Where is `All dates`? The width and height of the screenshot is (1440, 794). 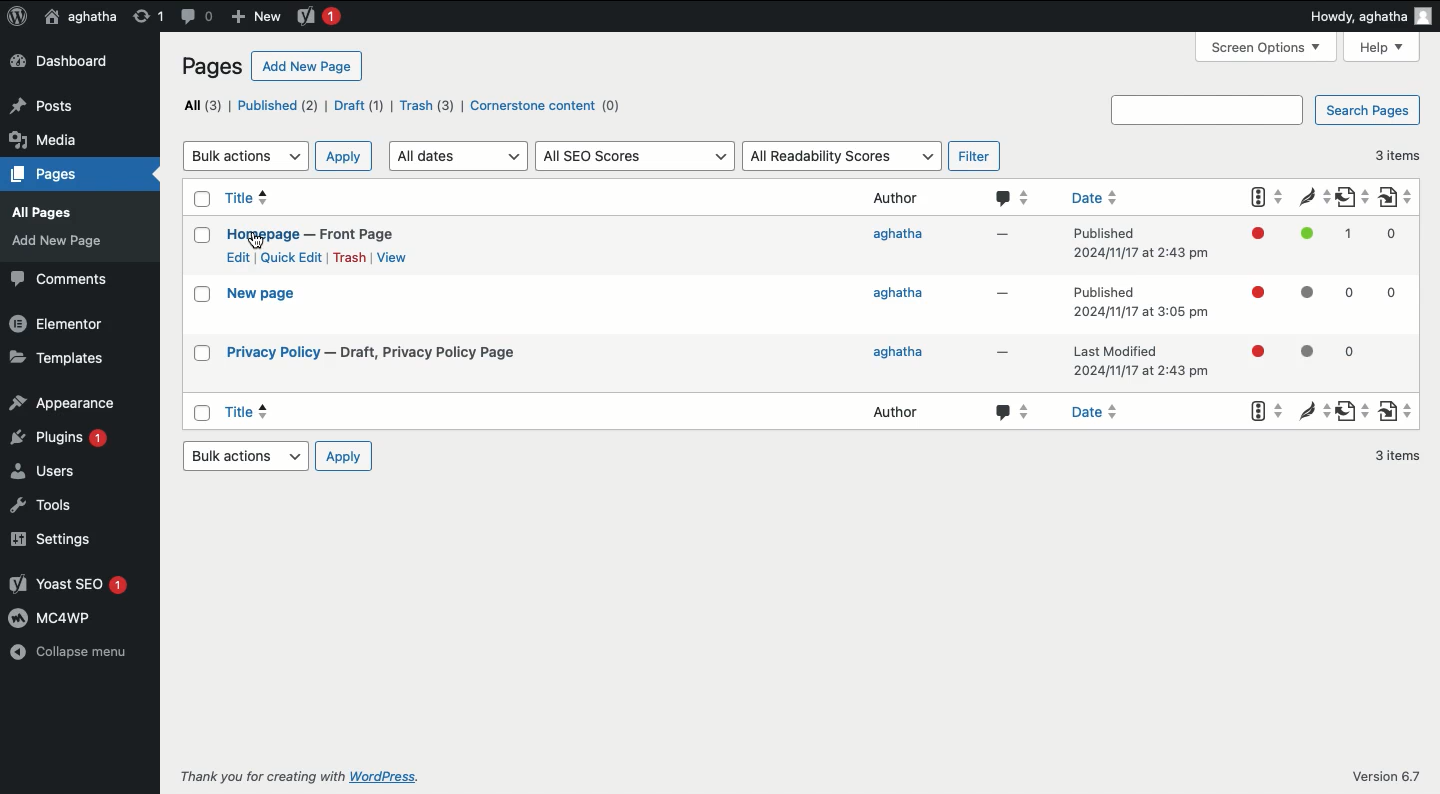 All dates is located at coordinates (456, 156).